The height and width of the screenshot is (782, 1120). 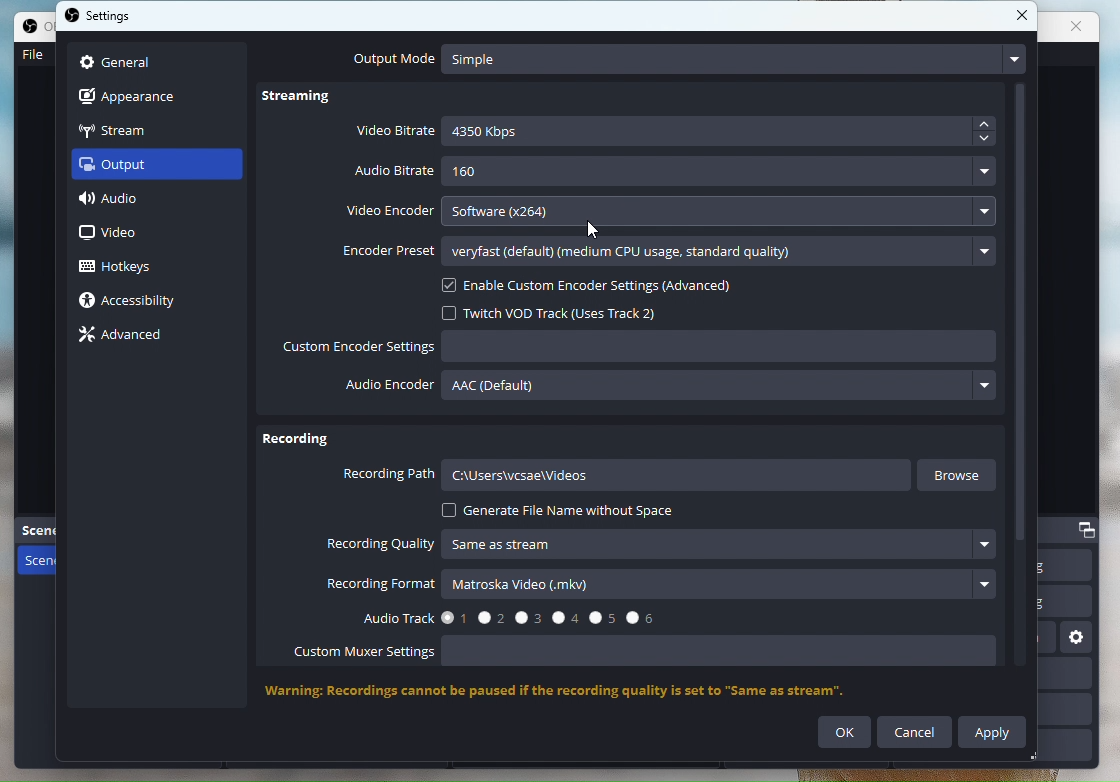 I want to click on enable encoder settings, so click(x=607, y=286).